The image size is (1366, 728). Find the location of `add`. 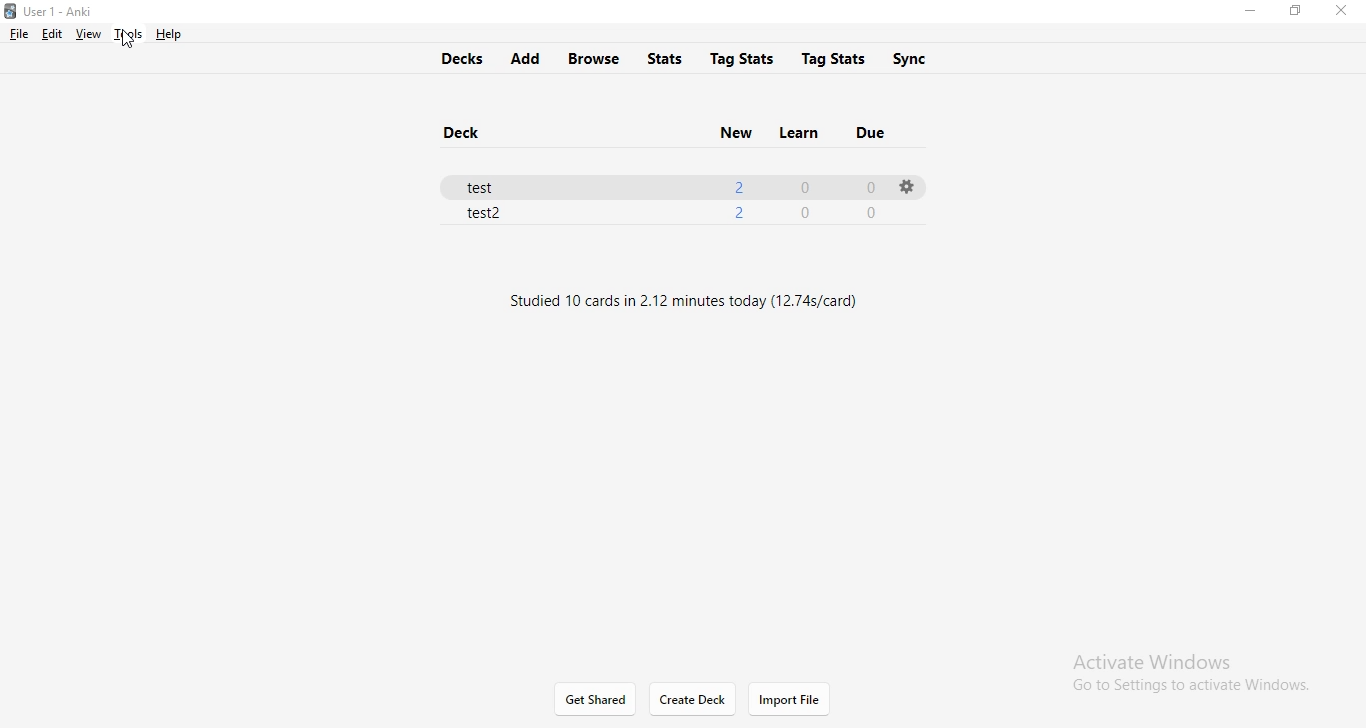

add is located at coordinates (524, 59).